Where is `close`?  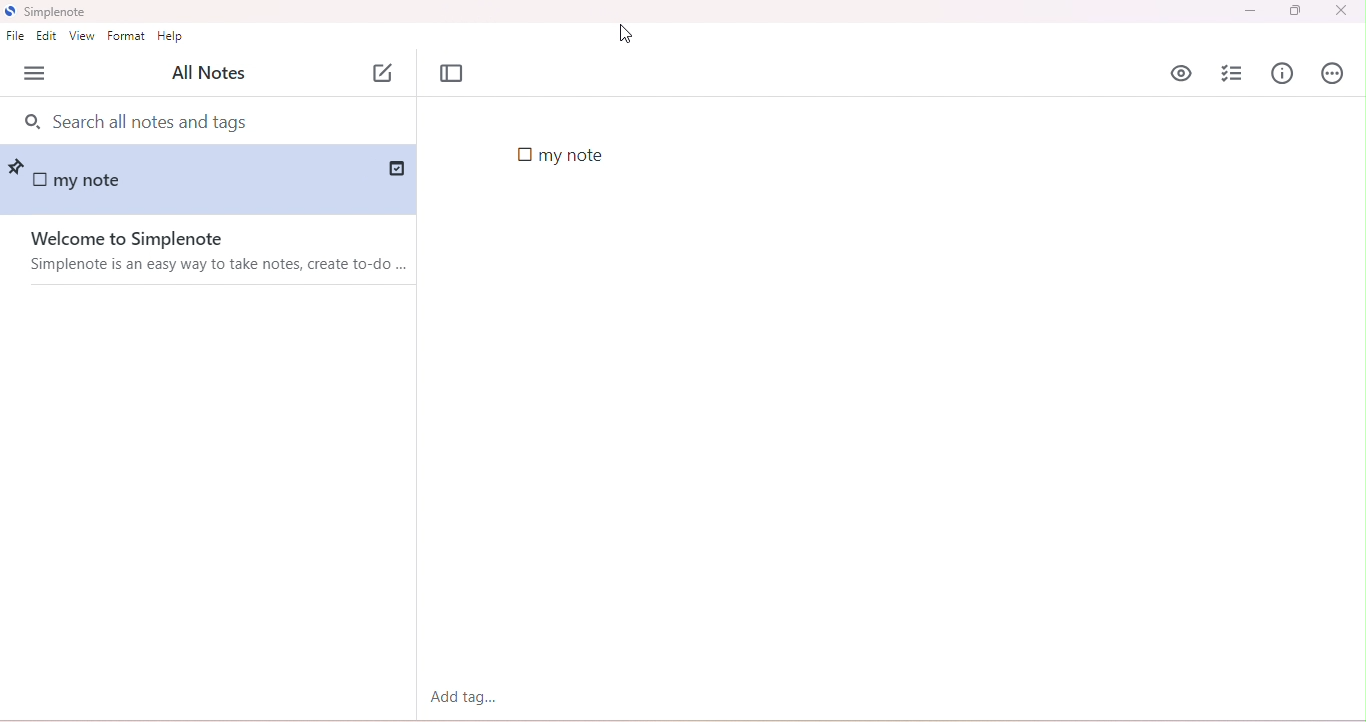
close is located at coordinates (1340, 12).